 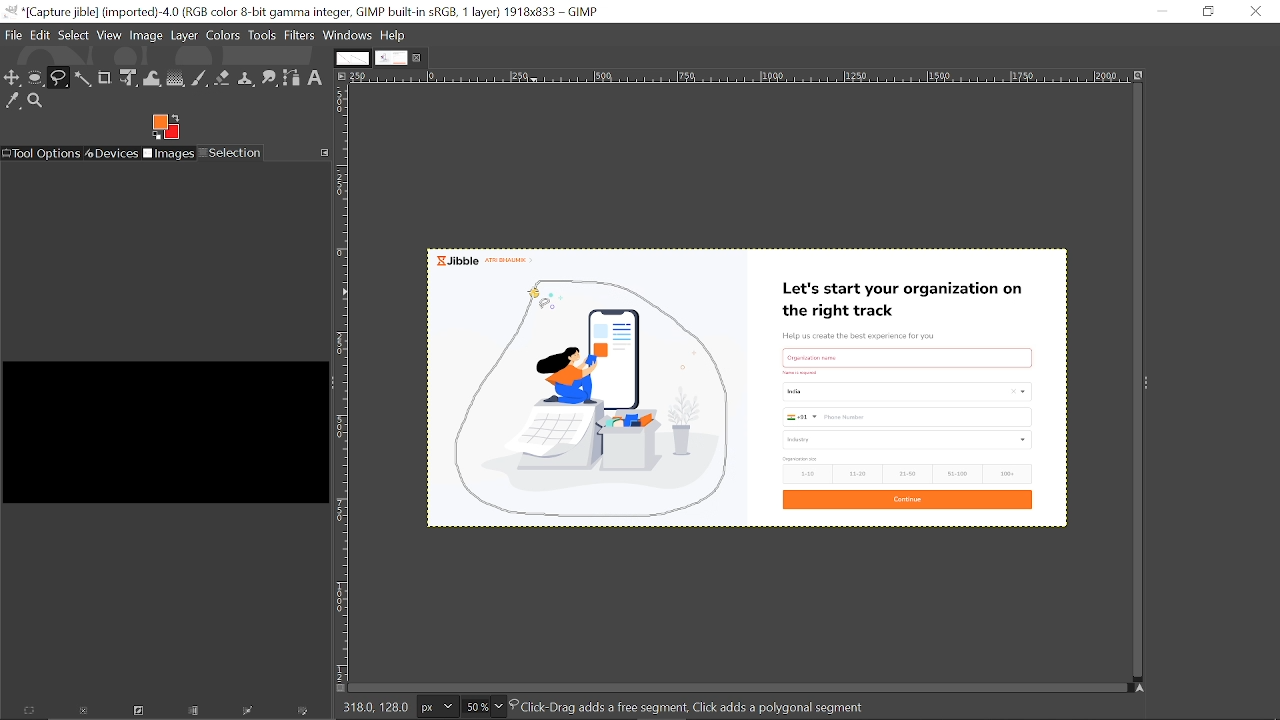 What do you see at coordinates (223, 78) in the screenshot?
I see `Eraser tool` at bounding box center [223, 78].